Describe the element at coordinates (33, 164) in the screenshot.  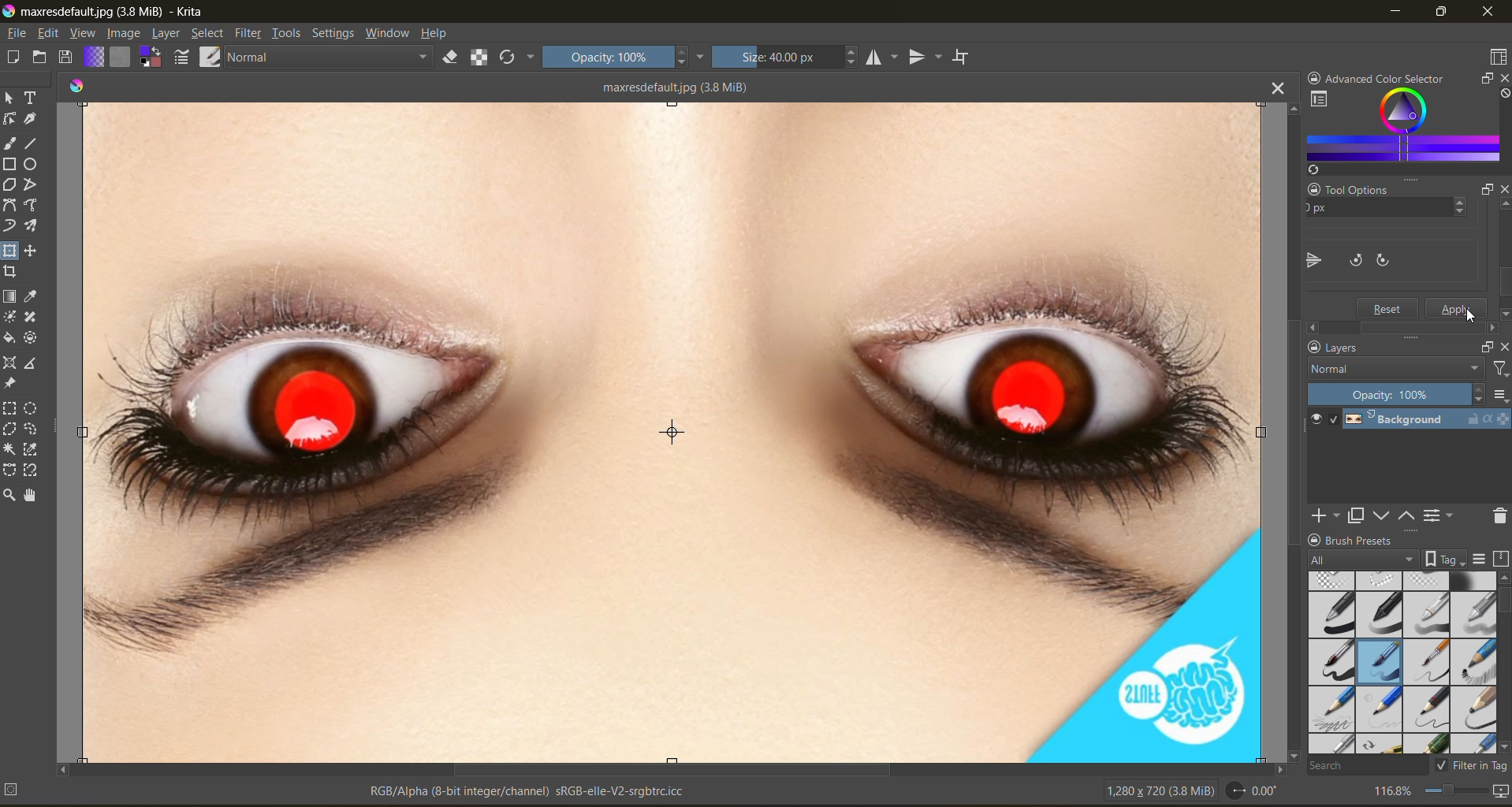
I see `tool` at that location.